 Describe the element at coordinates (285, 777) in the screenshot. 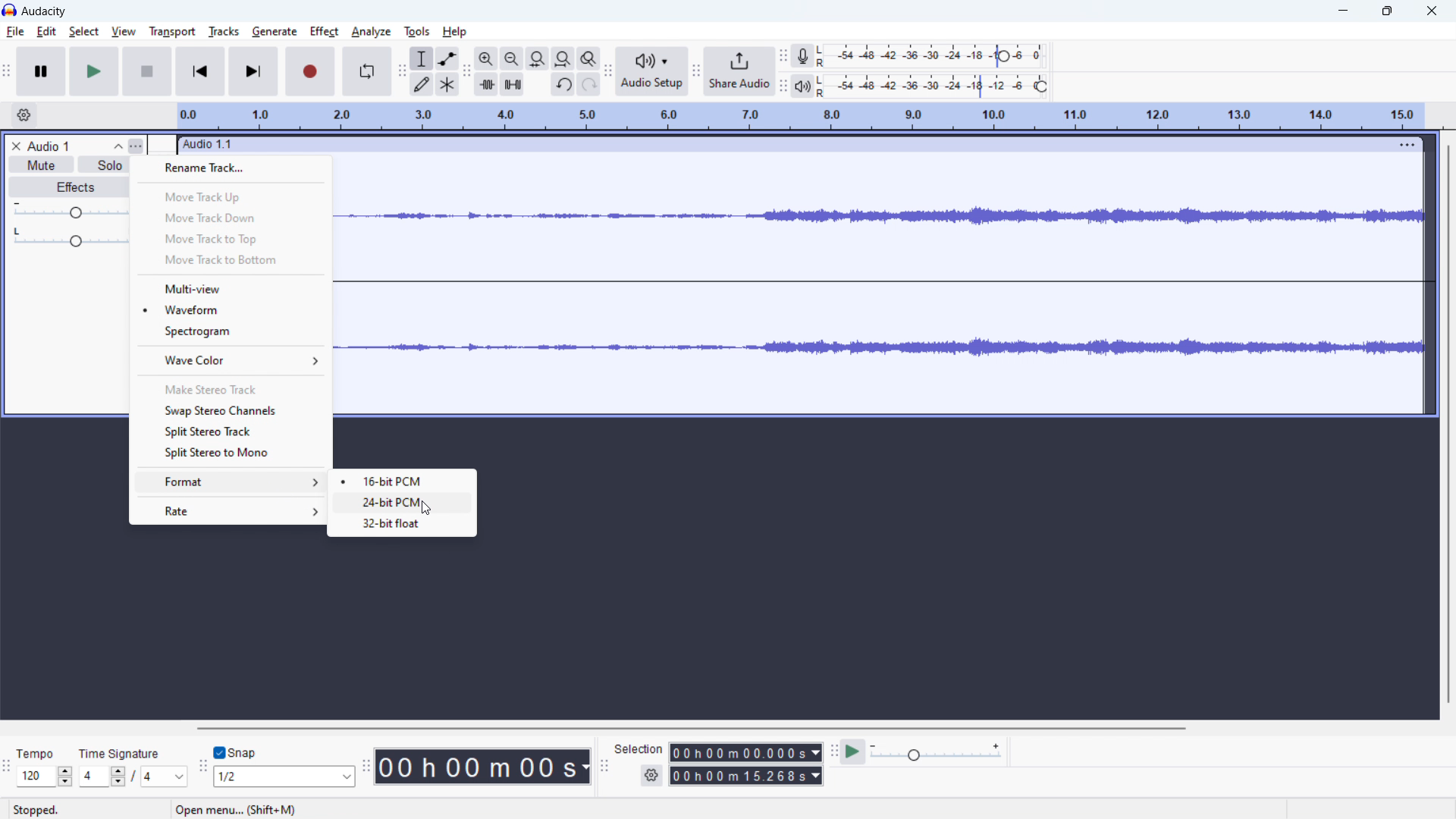

I see `select snapping` at that location.